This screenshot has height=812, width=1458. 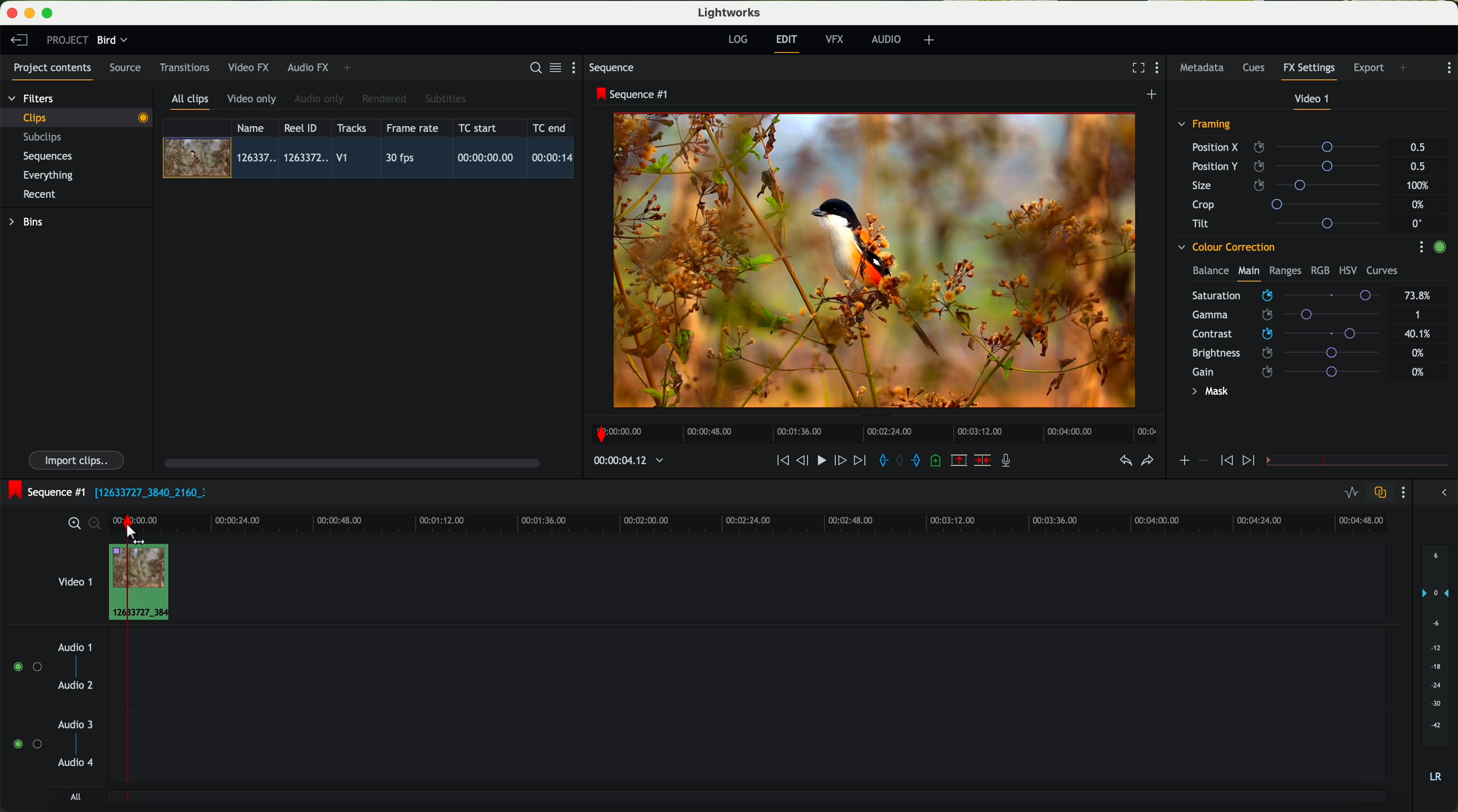 What do you see at coordinates (45, 138) in the screenshot?
I see `subclips` at bounding box center [45, 138].